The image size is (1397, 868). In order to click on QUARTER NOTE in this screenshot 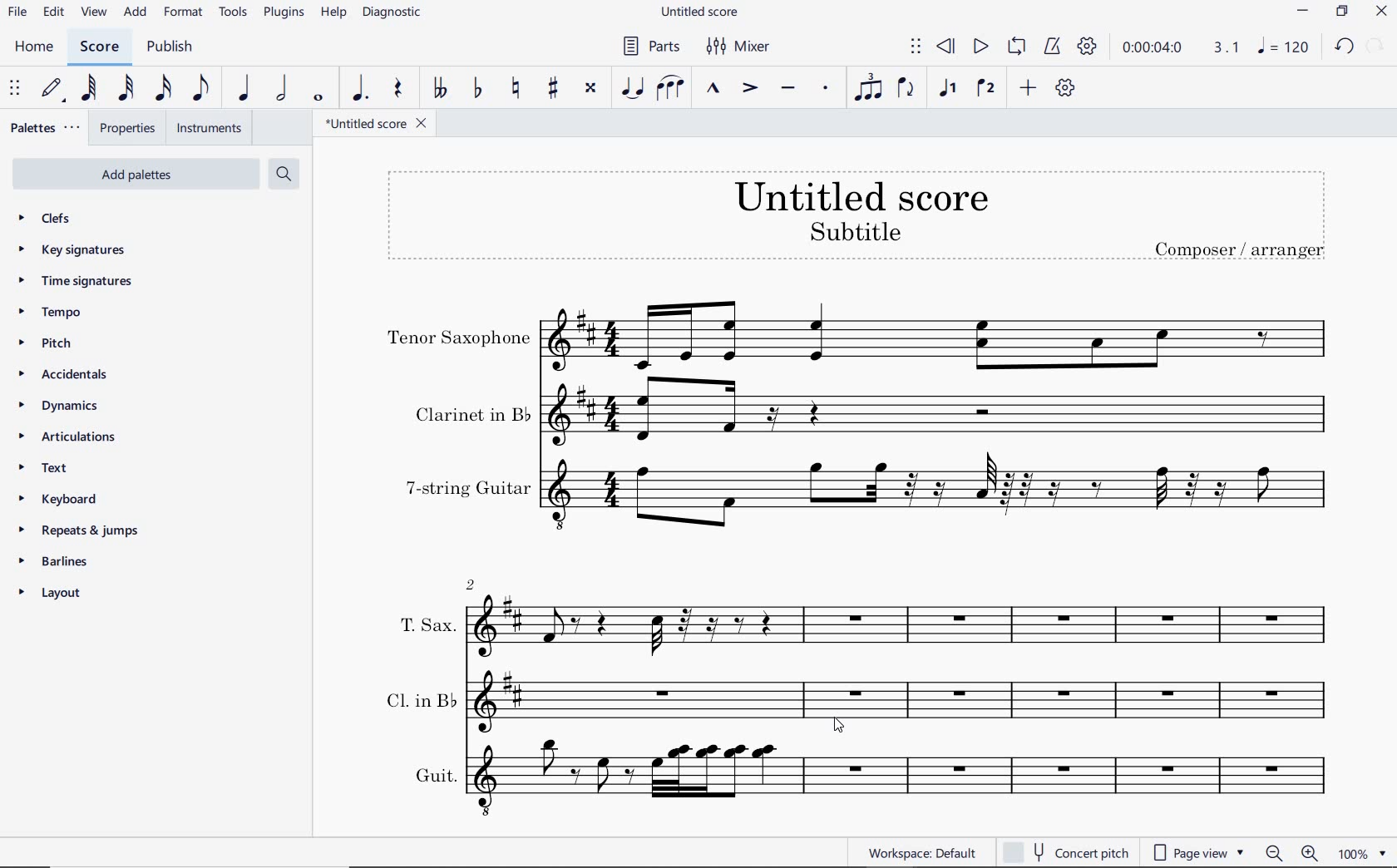, I will do `click(244, 89)`.